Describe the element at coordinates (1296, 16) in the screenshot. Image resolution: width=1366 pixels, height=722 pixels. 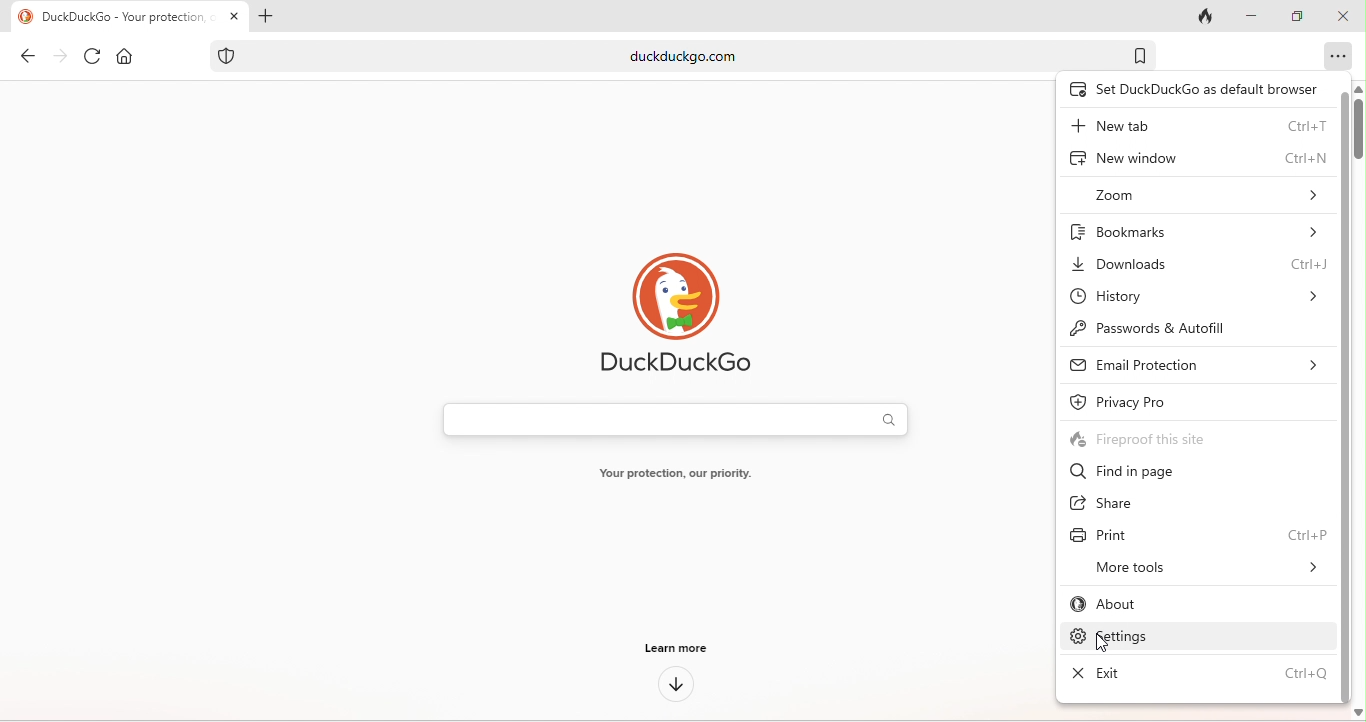
I see `maximize` at that location.